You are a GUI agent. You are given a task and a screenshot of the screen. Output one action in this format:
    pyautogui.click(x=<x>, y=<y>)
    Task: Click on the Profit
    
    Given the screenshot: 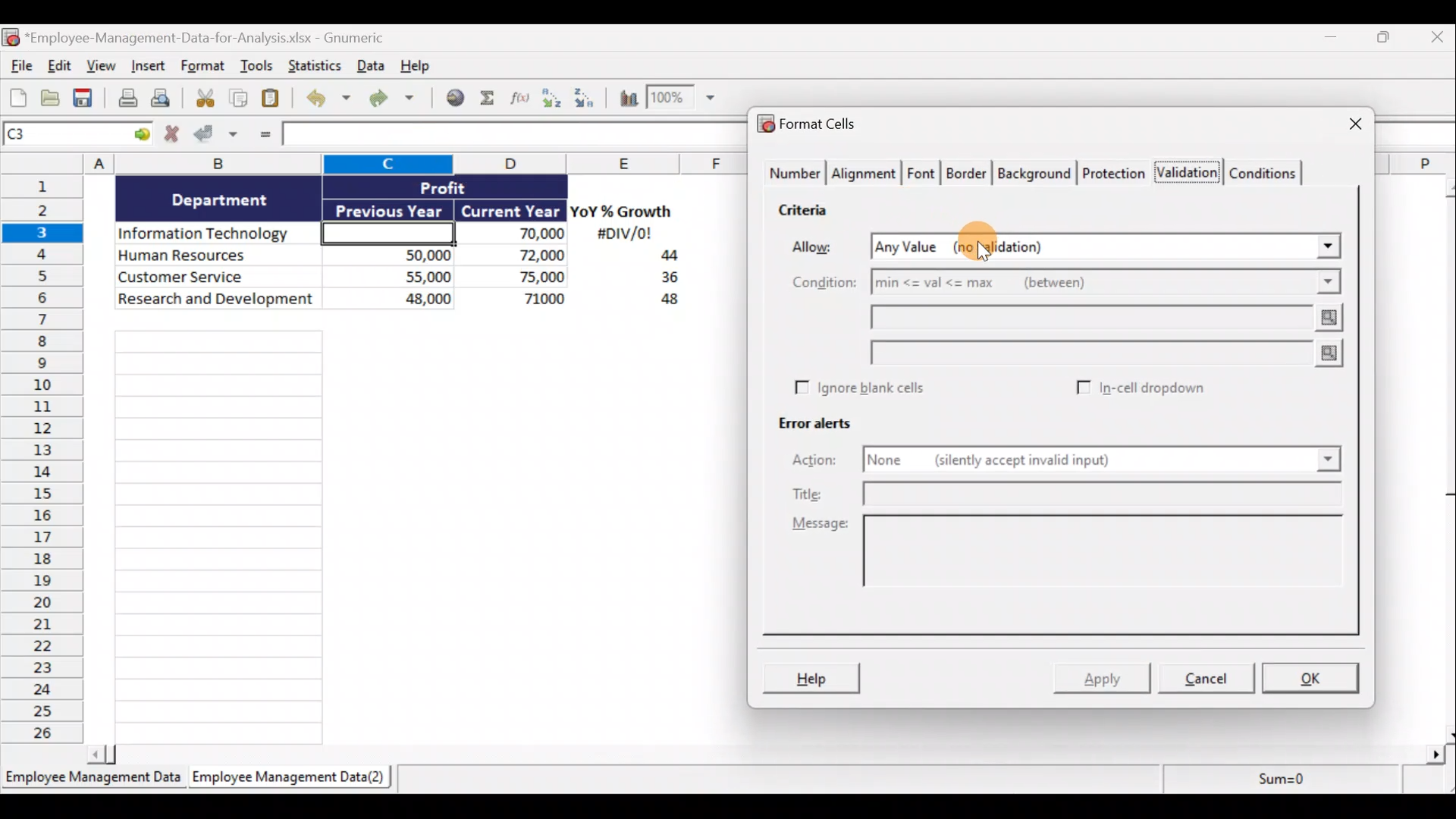 What is the action you would take?
    pyautogui.click(x=468, y=187)
    